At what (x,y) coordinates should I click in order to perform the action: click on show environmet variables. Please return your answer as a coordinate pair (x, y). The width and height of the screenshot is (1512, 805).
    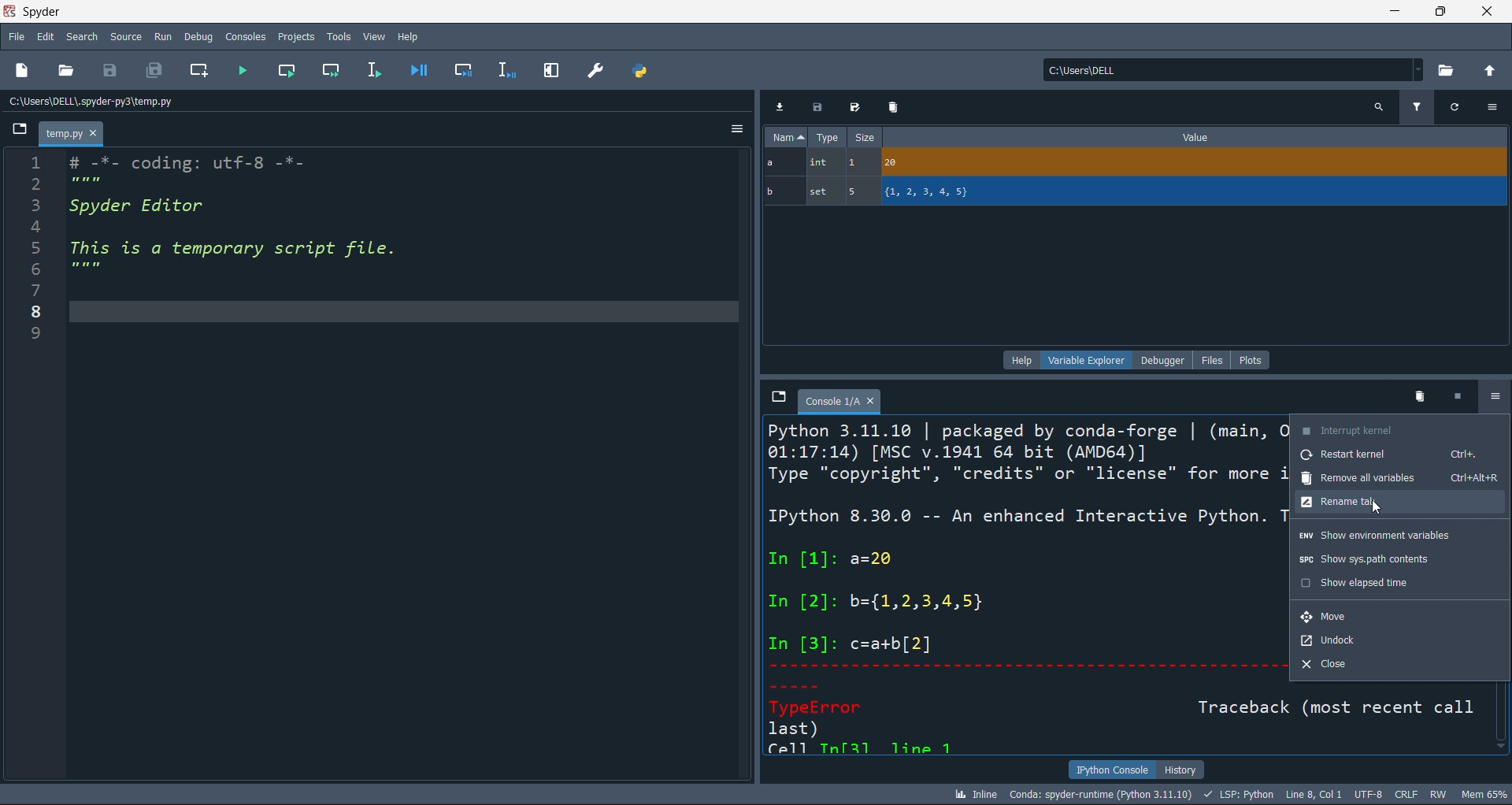
    Looking at the image, I should click on (1399, 536).